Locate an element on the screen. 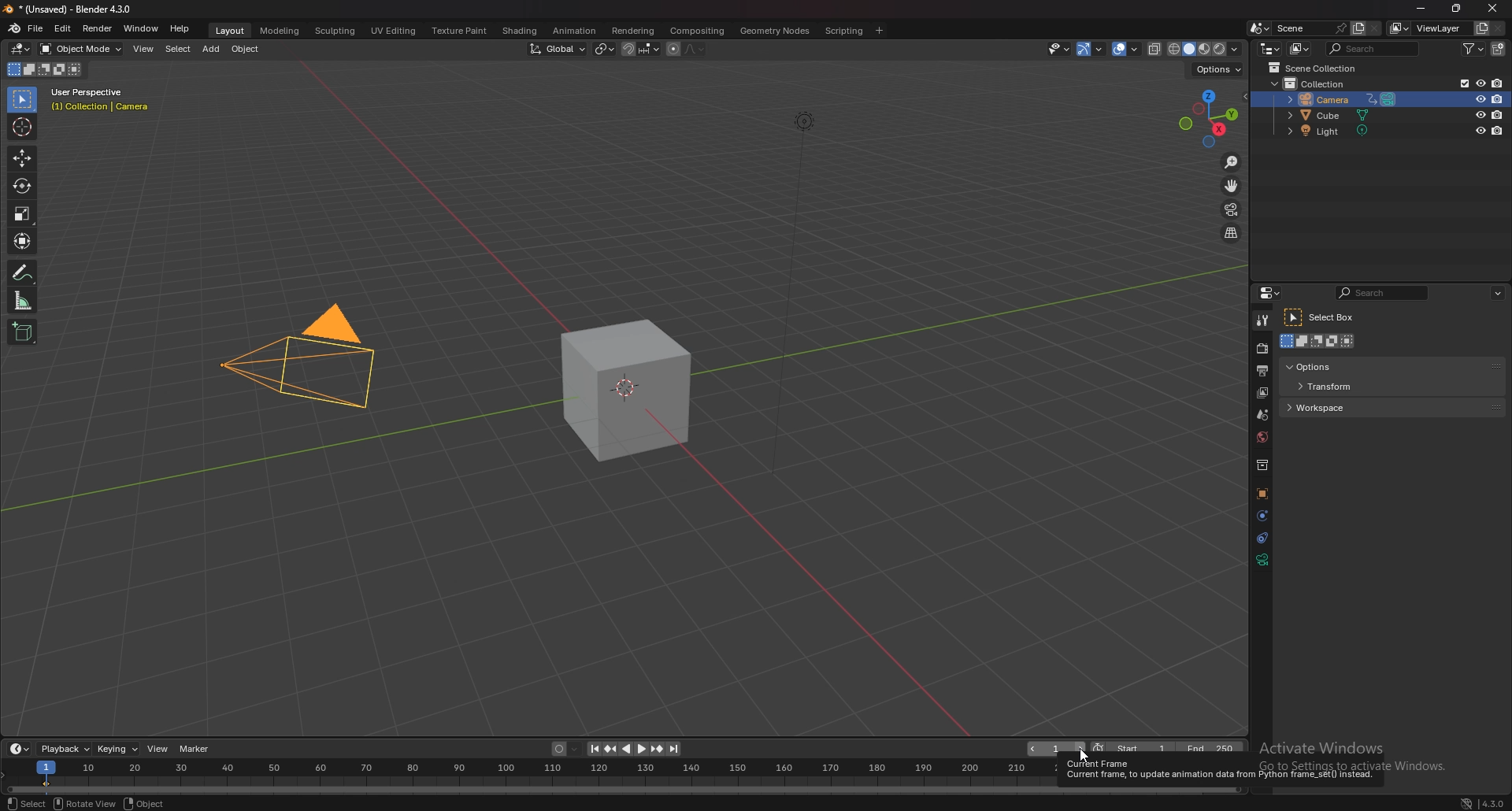 Image resolution: width=1512 pixels, height=811 pixels. window is located at coordinates (143, 29).